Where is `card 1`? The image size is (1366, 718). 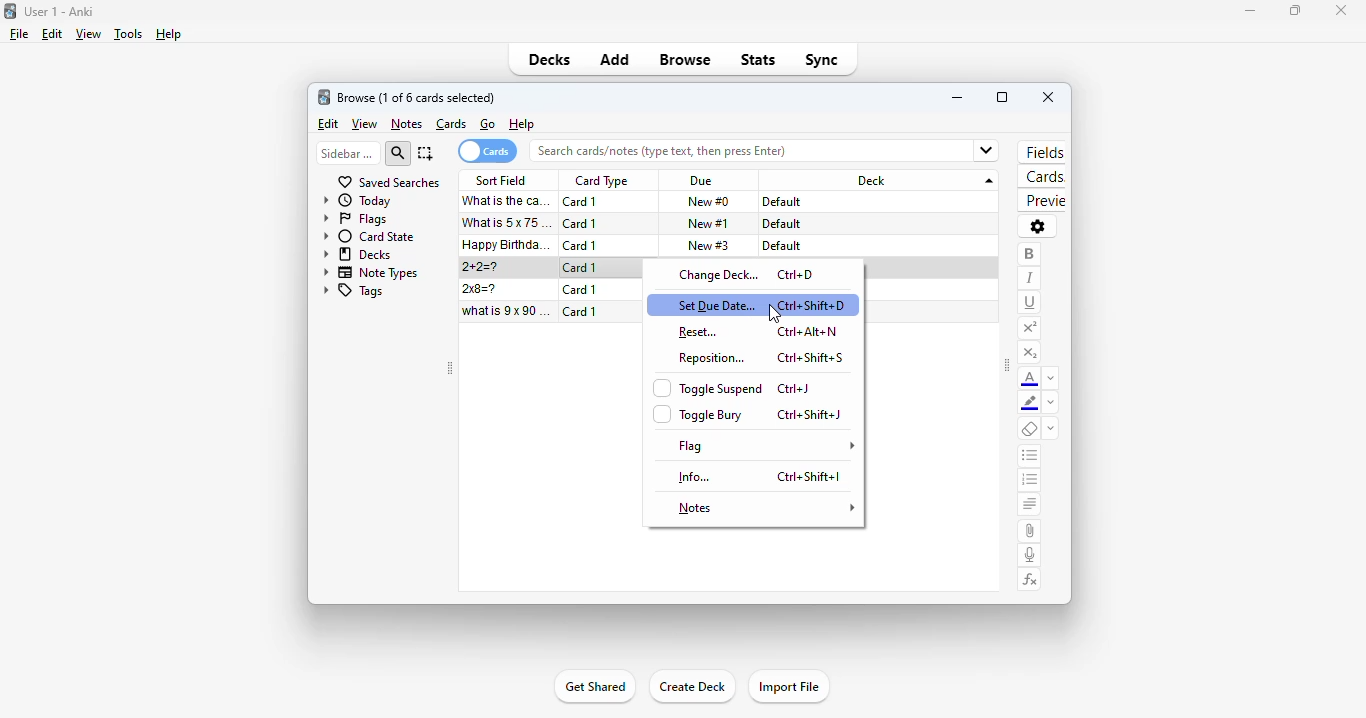
card 1 is located at coordinates (581, 202).